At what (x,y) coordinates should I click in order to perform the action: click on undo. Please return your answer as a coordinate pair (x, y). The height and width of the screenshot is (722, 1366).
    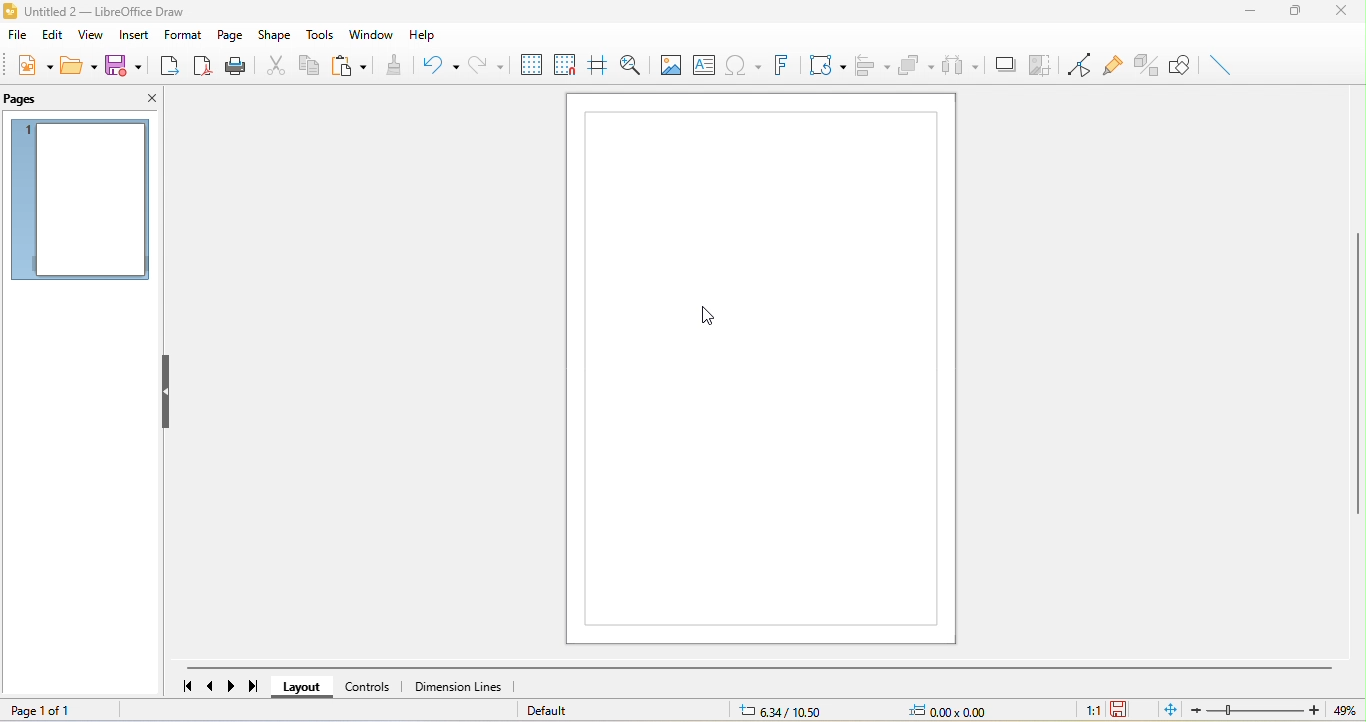
    Looking at the image, I should click on (437, 63).